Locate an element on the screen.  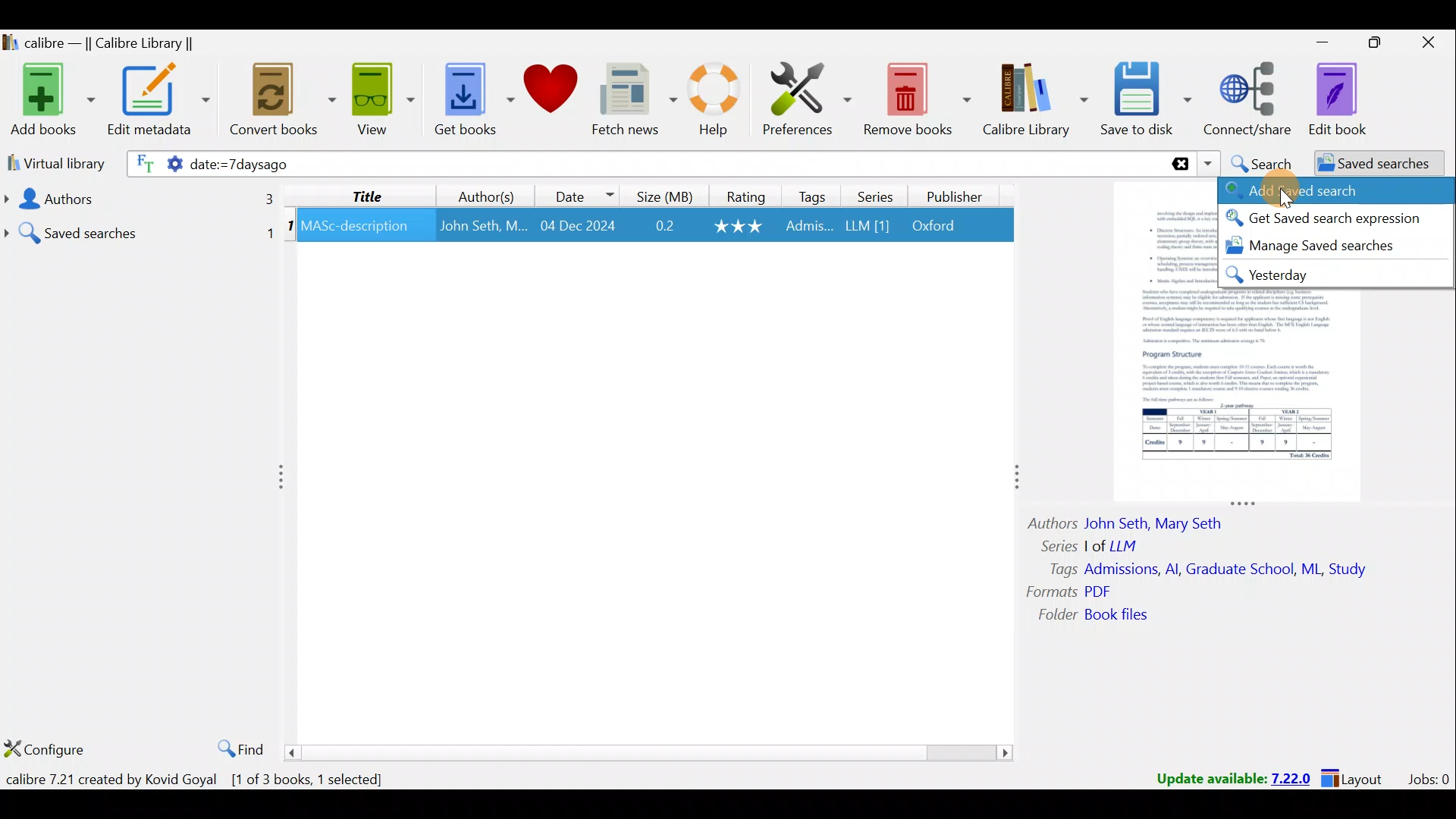
John Seth, M... is located at coordinates (483, 226).